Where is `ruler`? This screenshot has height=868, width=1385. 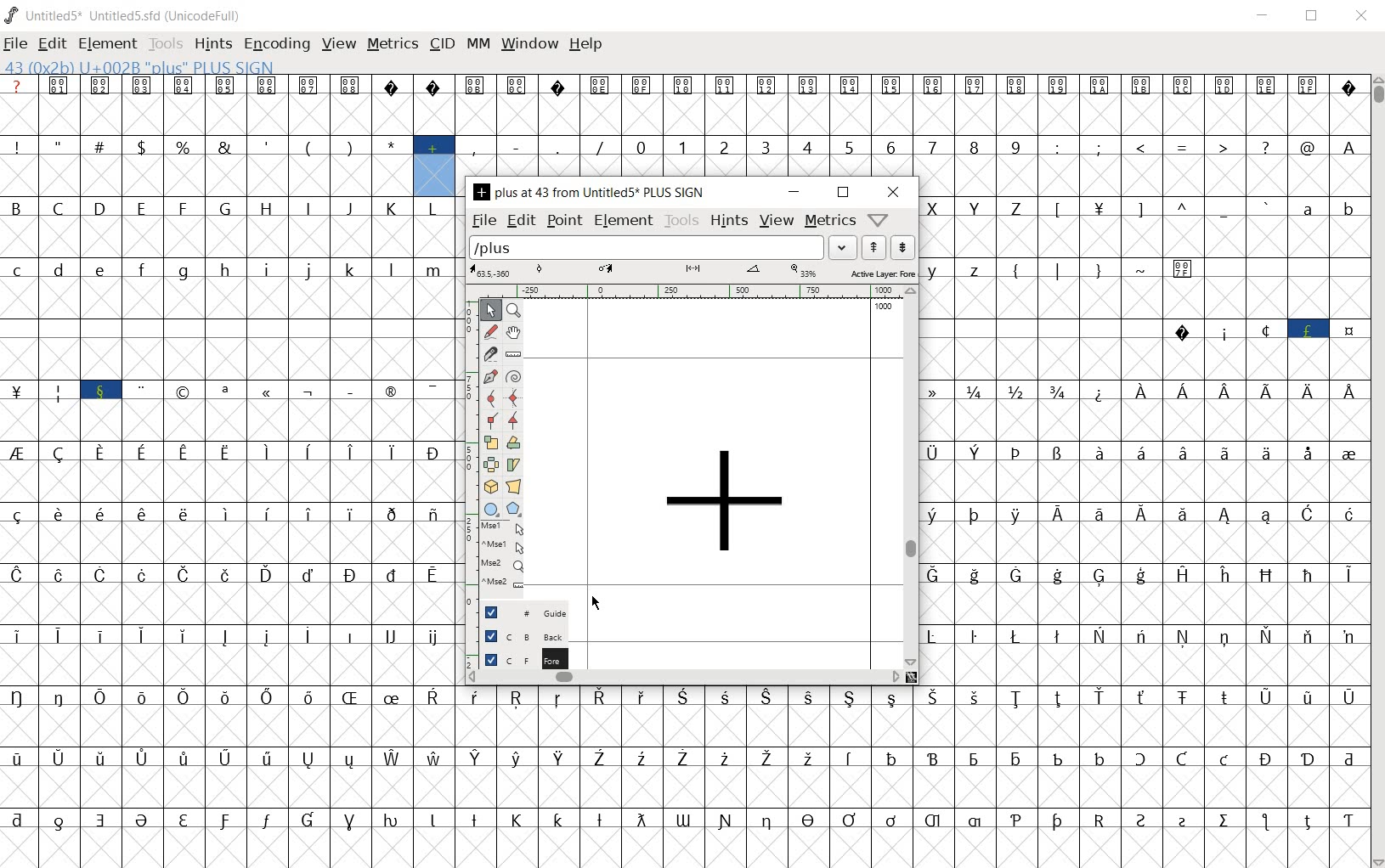 ruler is located at coordinates (682, 293).